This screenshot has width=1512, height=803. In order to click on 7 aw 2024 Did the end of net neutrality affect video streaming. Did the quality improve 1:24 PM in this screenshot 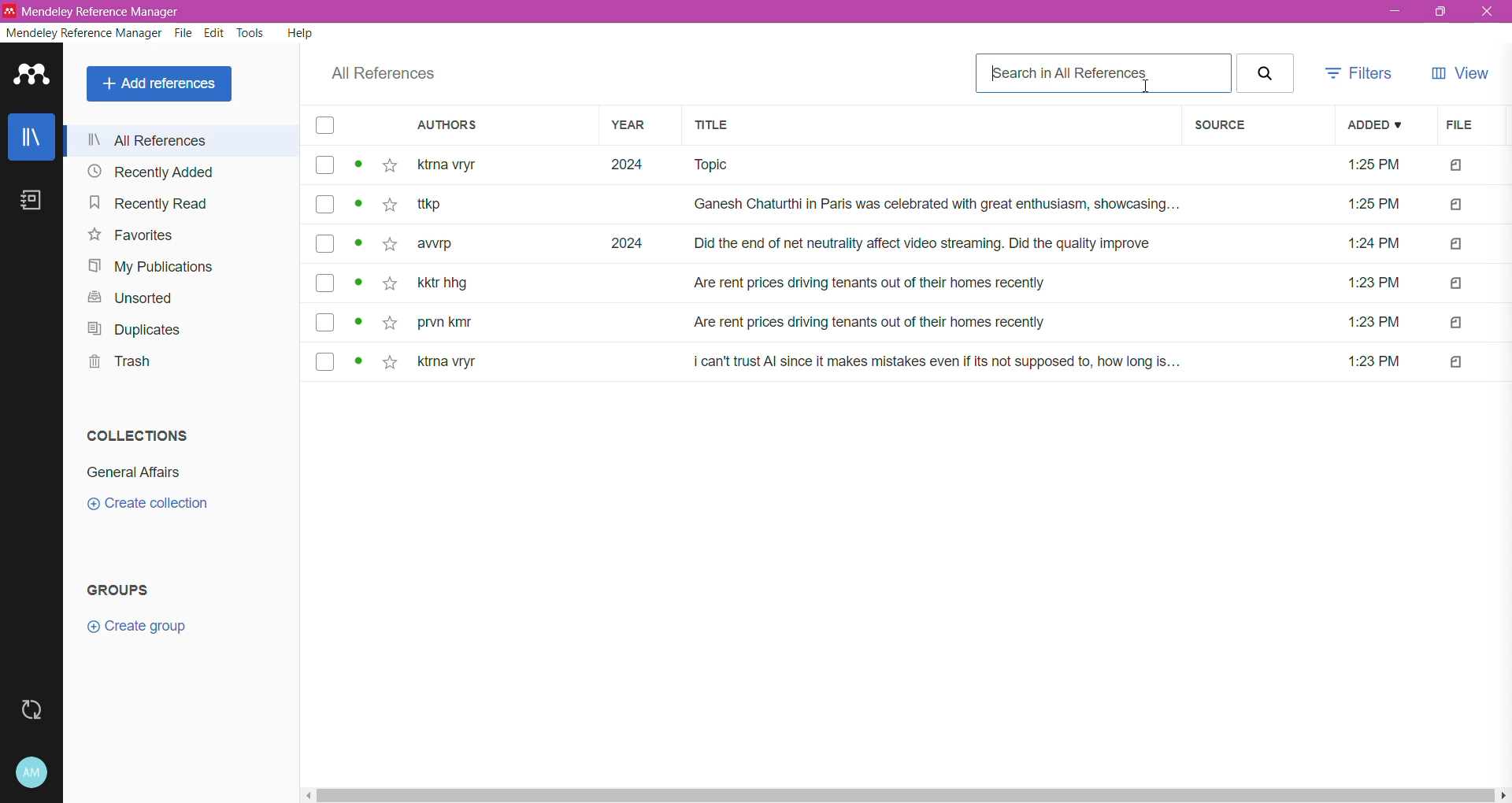, I will do `click(916, 243)`.